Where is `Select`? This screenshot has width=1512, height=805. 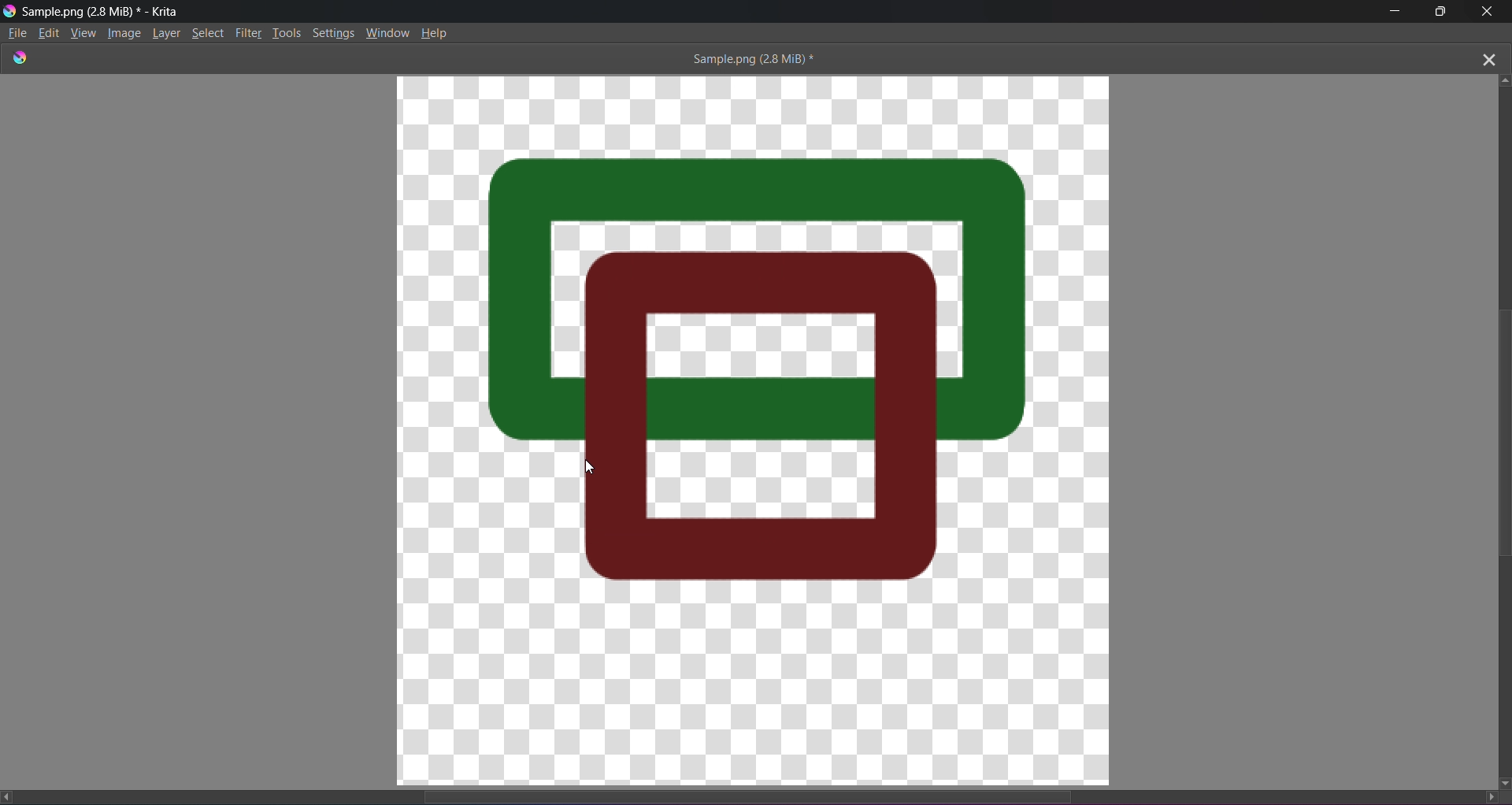 Select is located at coordinates (211, 32).